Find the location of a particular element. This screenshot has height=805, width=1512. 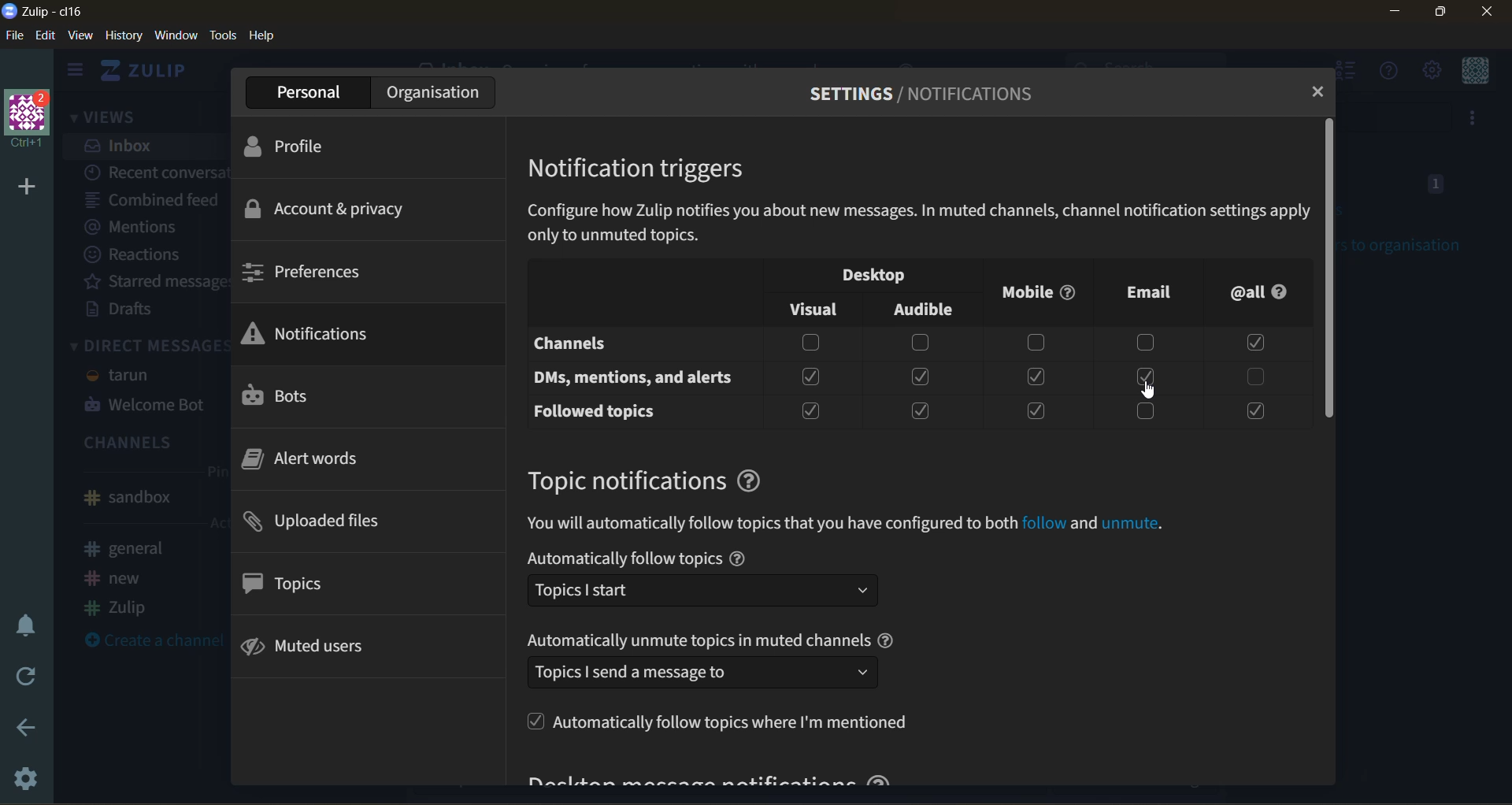

checkbox is located at coordinates (1151, 410).